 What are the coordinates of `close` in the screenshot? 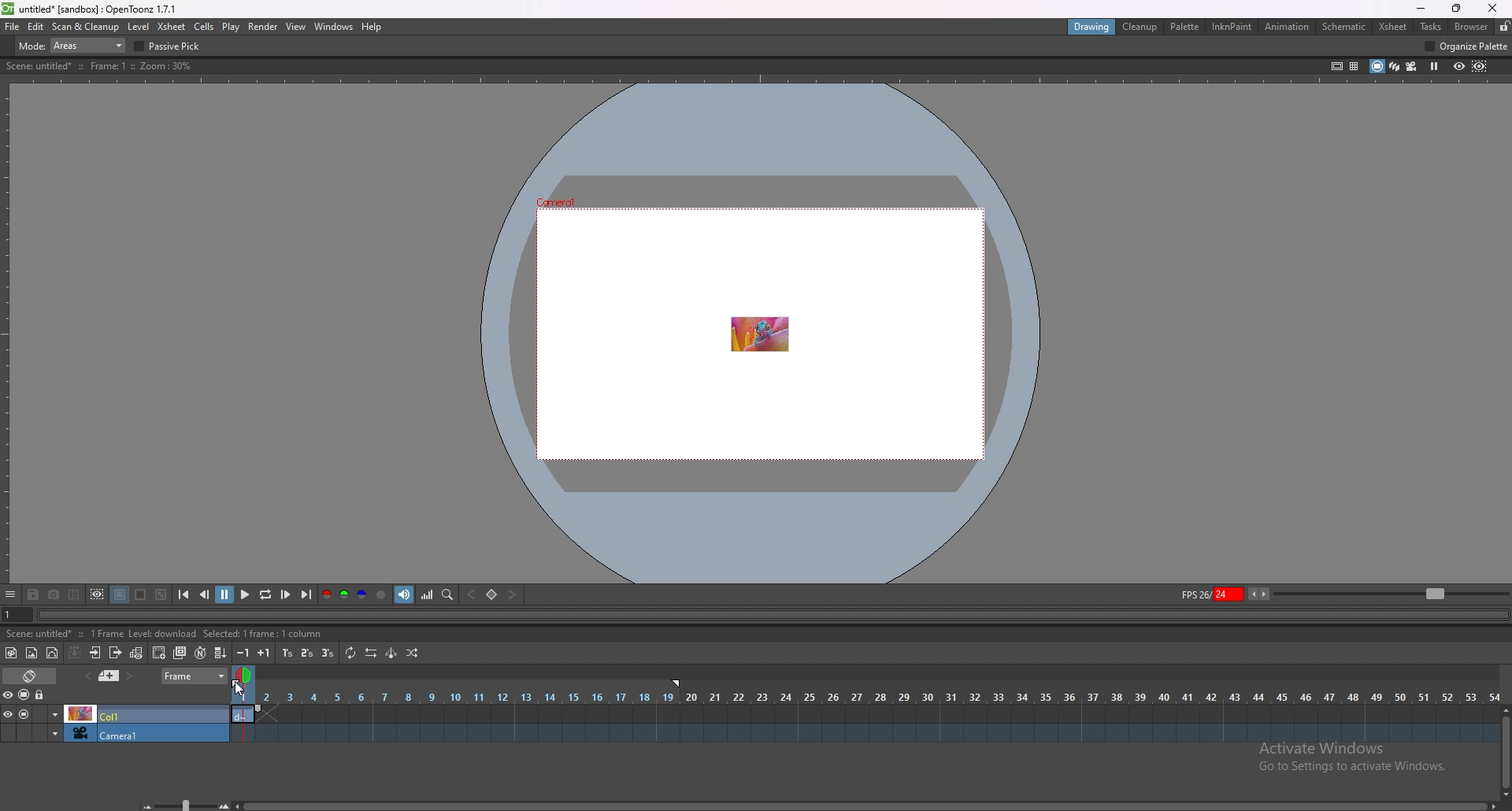 It's located at (1493, 8).